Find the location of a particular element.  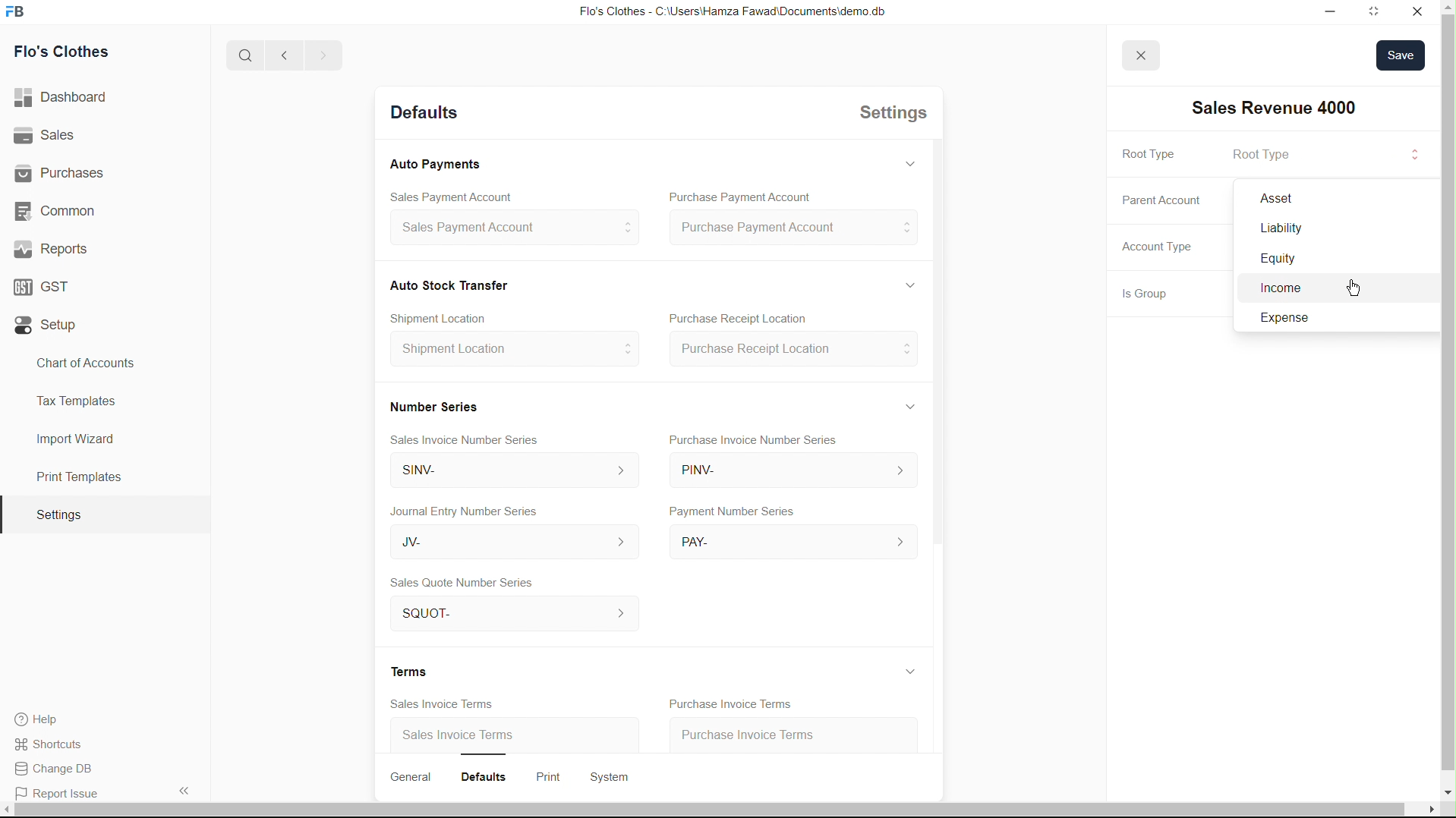

Account Type is located at coordinates (1170, 250).